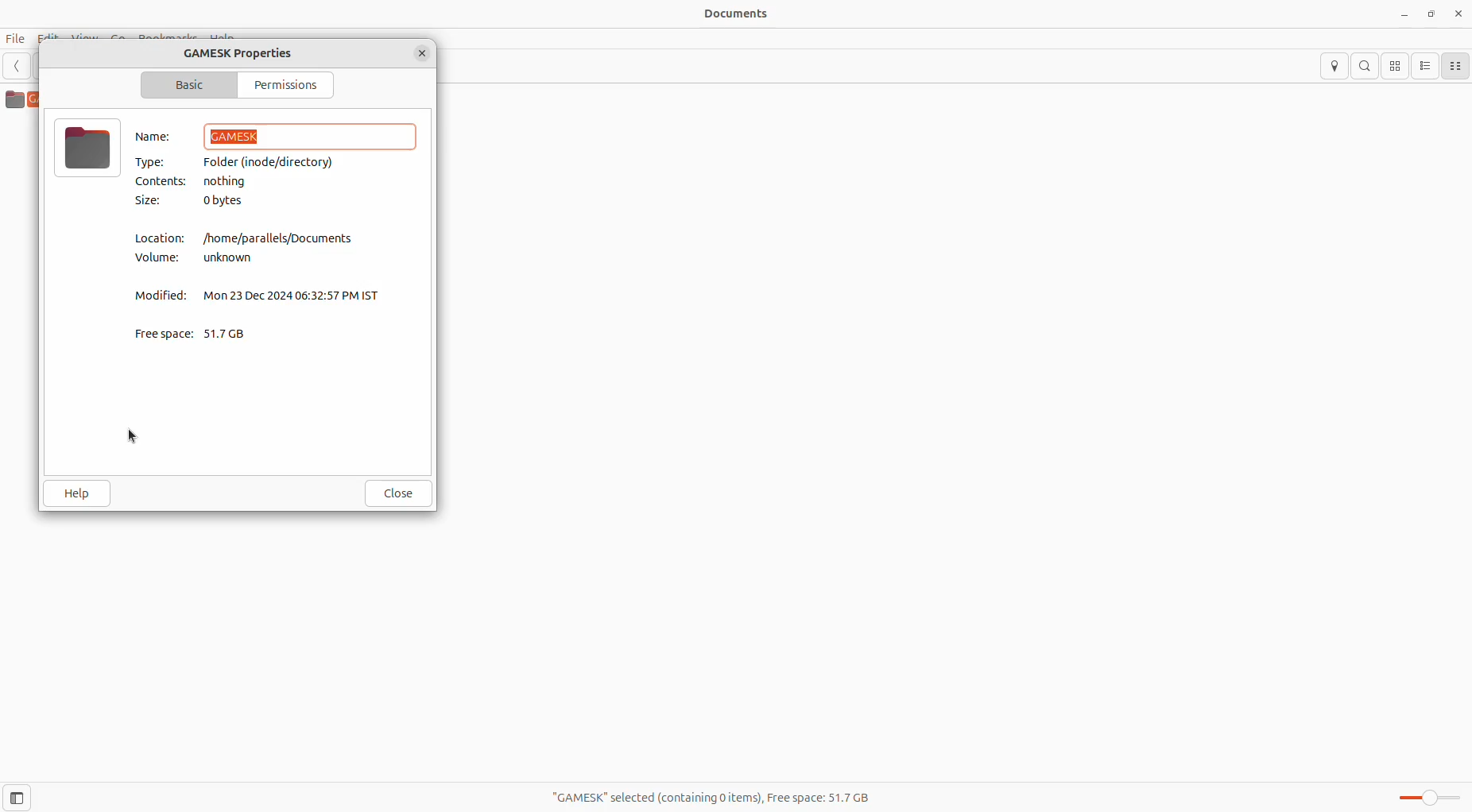 This screenshot has height=812, width=1472. I want to click on Previous , so click(21, 67).